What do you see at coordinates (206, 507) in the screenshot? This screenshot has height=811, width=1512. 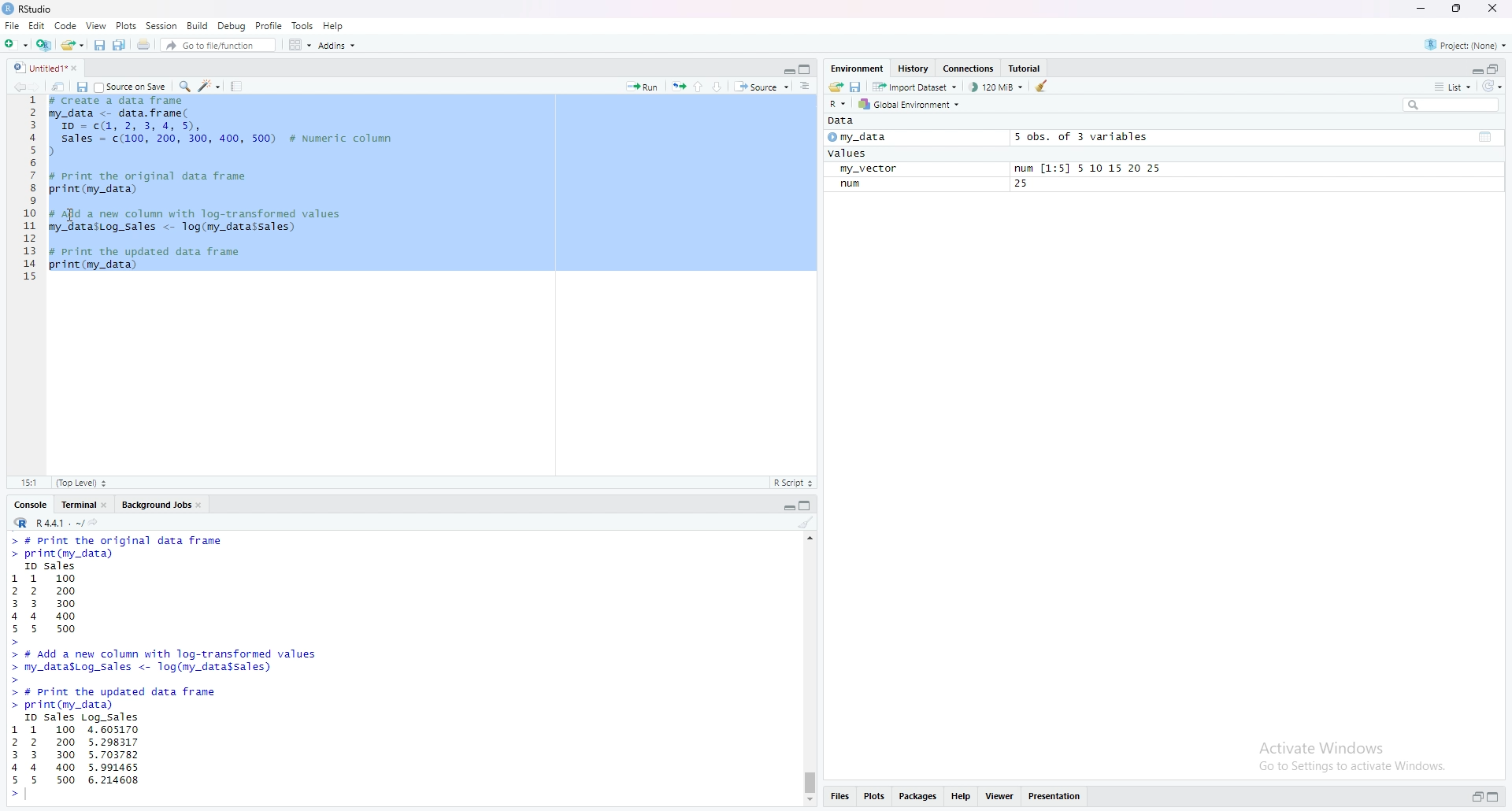 I see `close` at bounding box center [206, 507].